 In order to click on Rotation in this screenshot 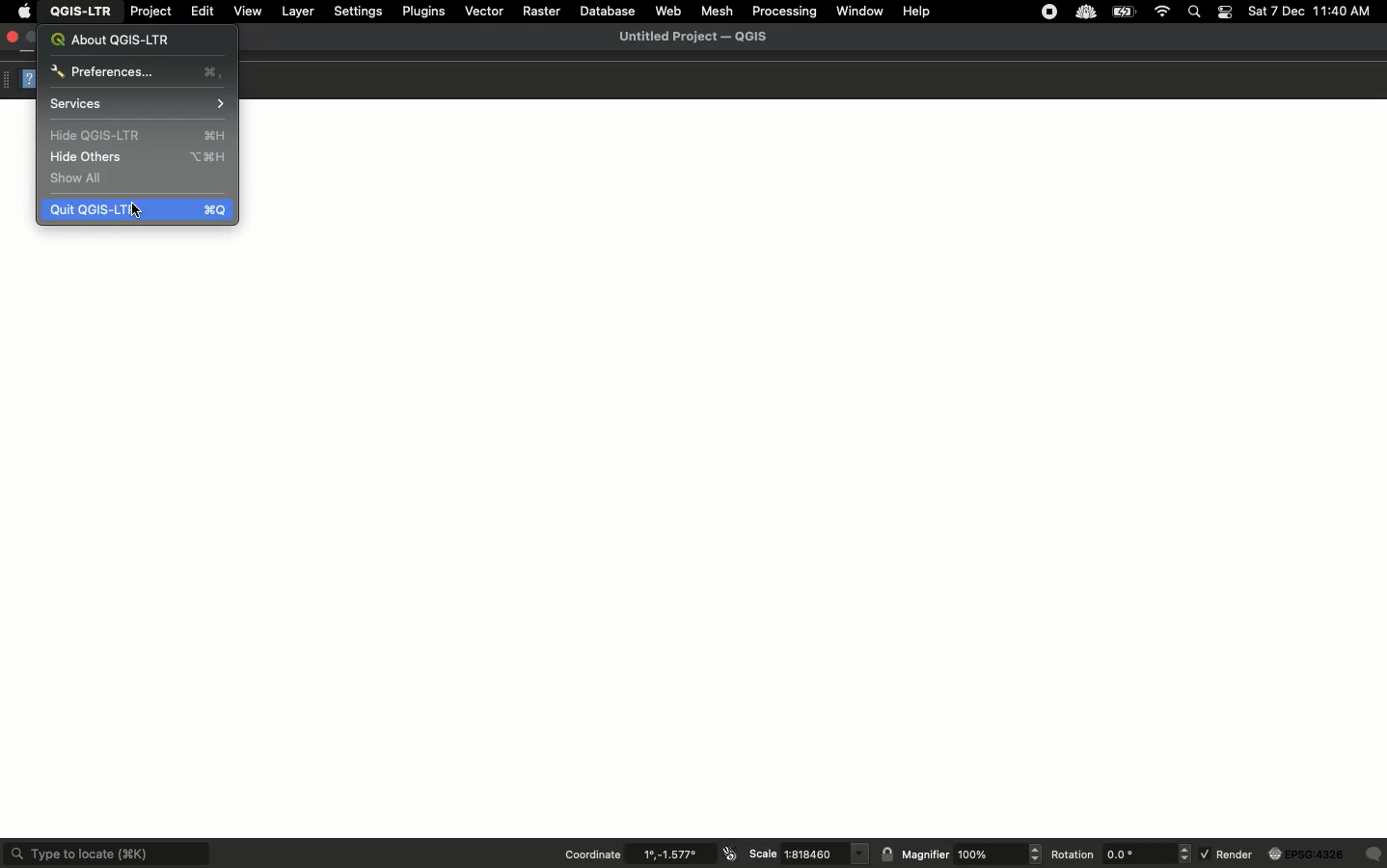, I will do `click(1116, 853)`.